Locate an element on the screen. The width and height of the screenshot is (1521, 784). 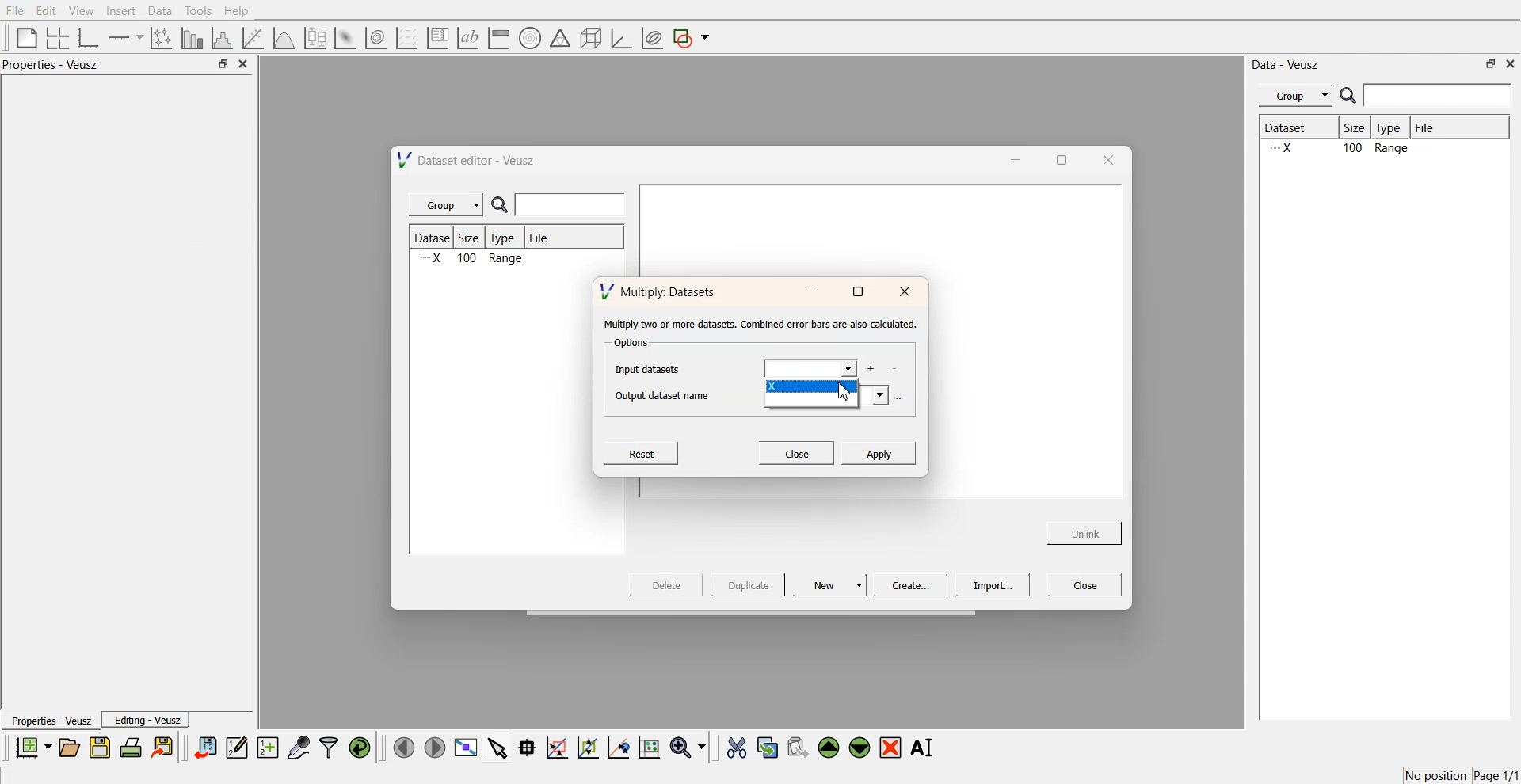
Apply is located at coordinates (879, 452).